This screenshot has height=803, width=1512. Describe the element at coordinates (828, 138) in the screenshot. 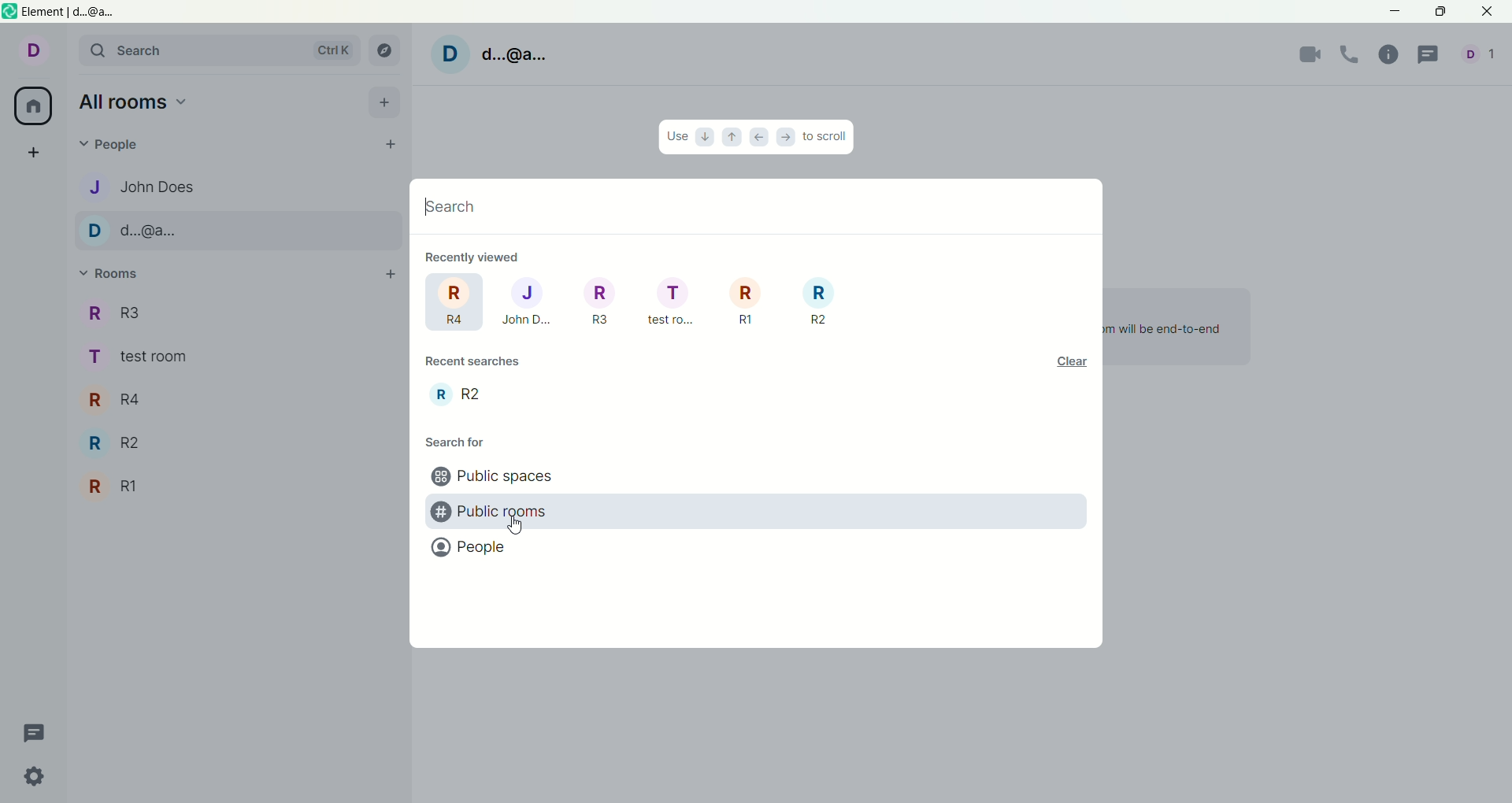

I see `to scroll` at that location.